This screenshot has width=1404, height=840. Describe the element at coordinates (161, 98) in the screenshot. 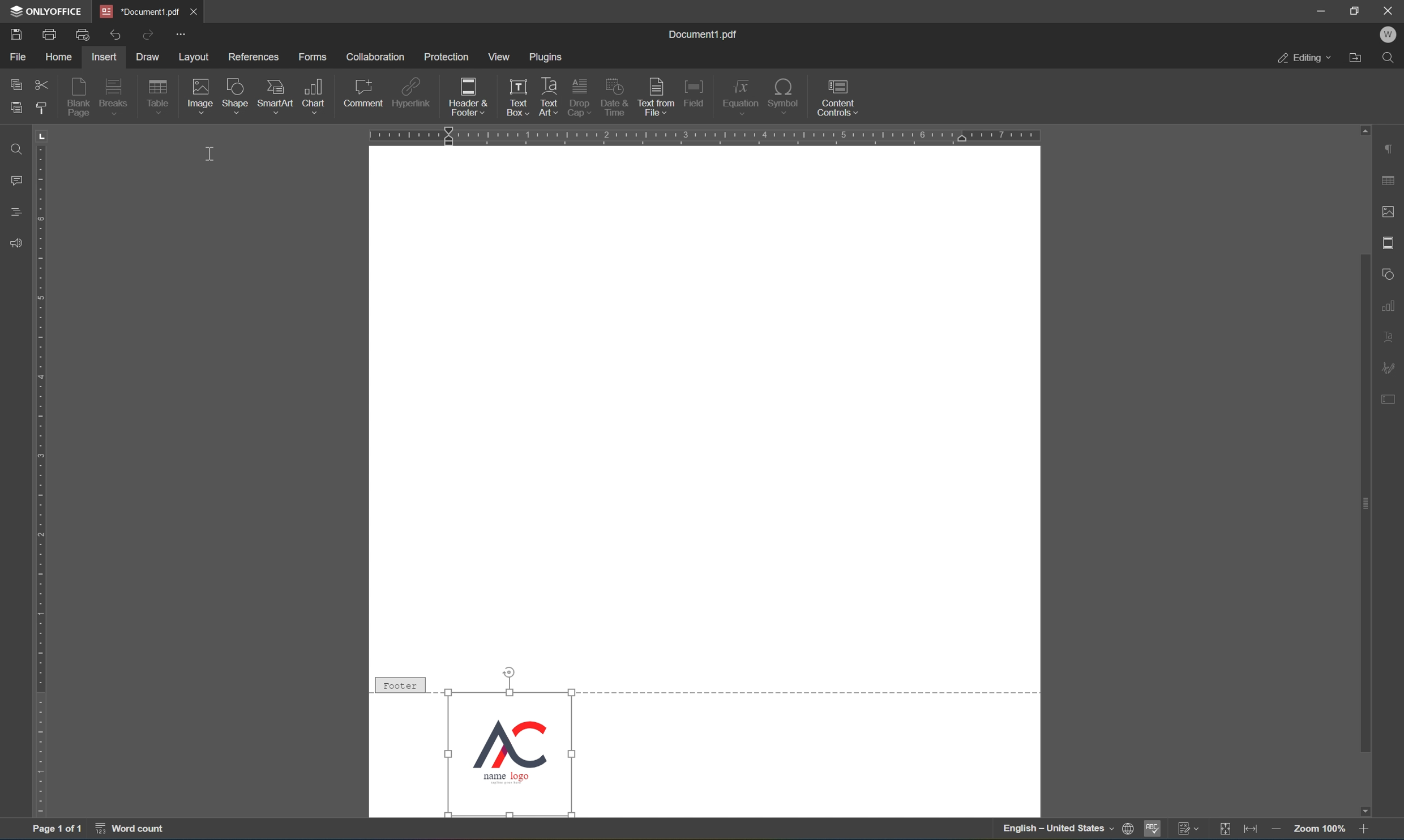

I see `table` at that location.